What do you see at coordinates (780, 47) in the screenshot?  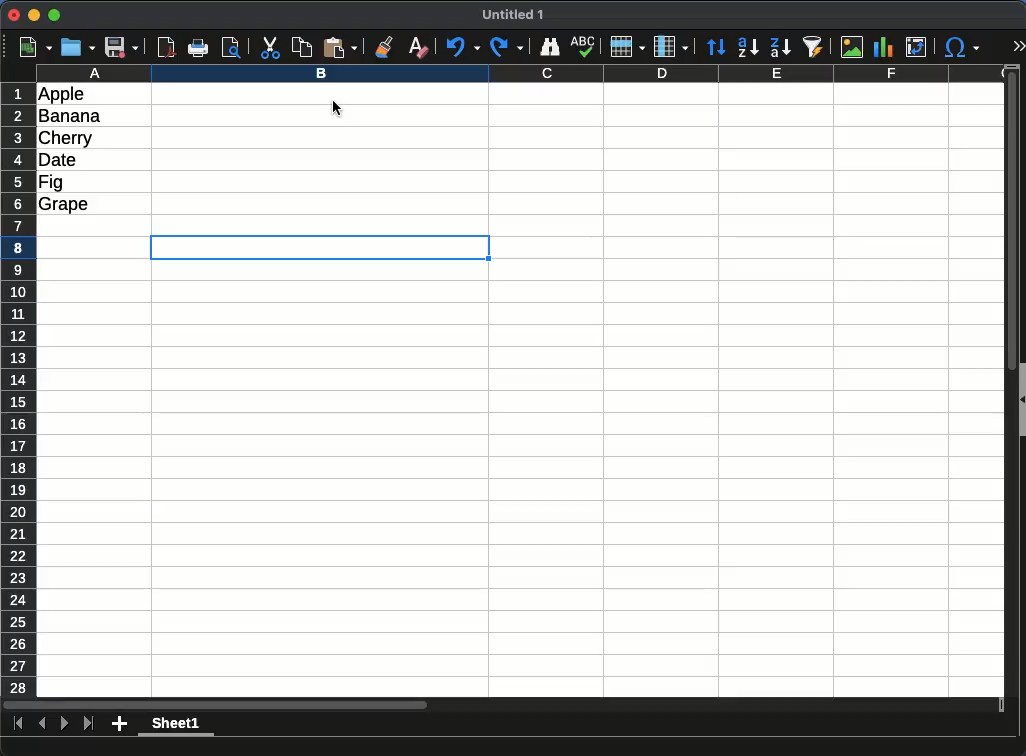 I see `descending` at bounding box center [780, 47].